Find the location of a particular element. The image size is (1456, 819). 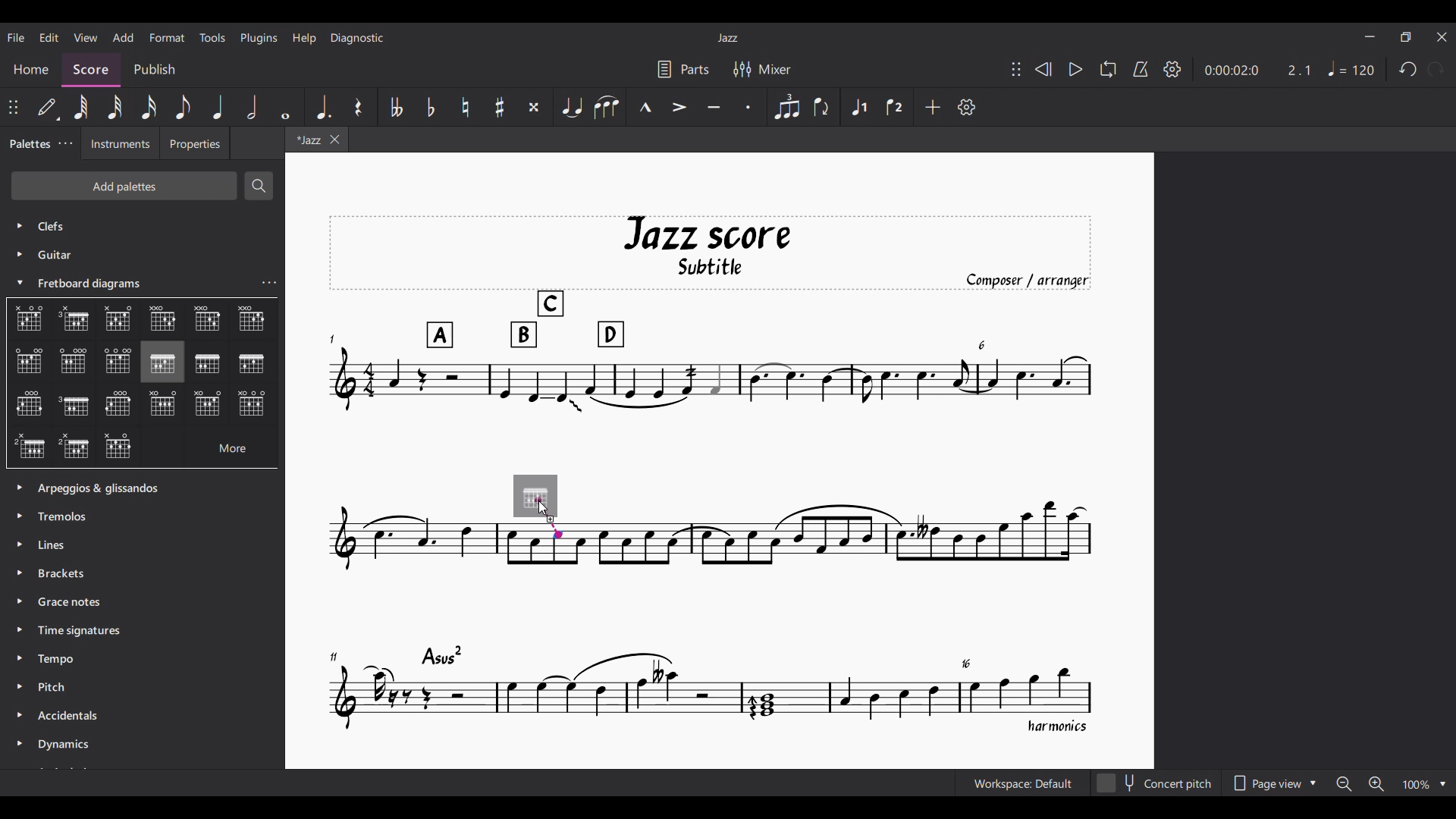

Metronome is located at coordinates (1141, 70).